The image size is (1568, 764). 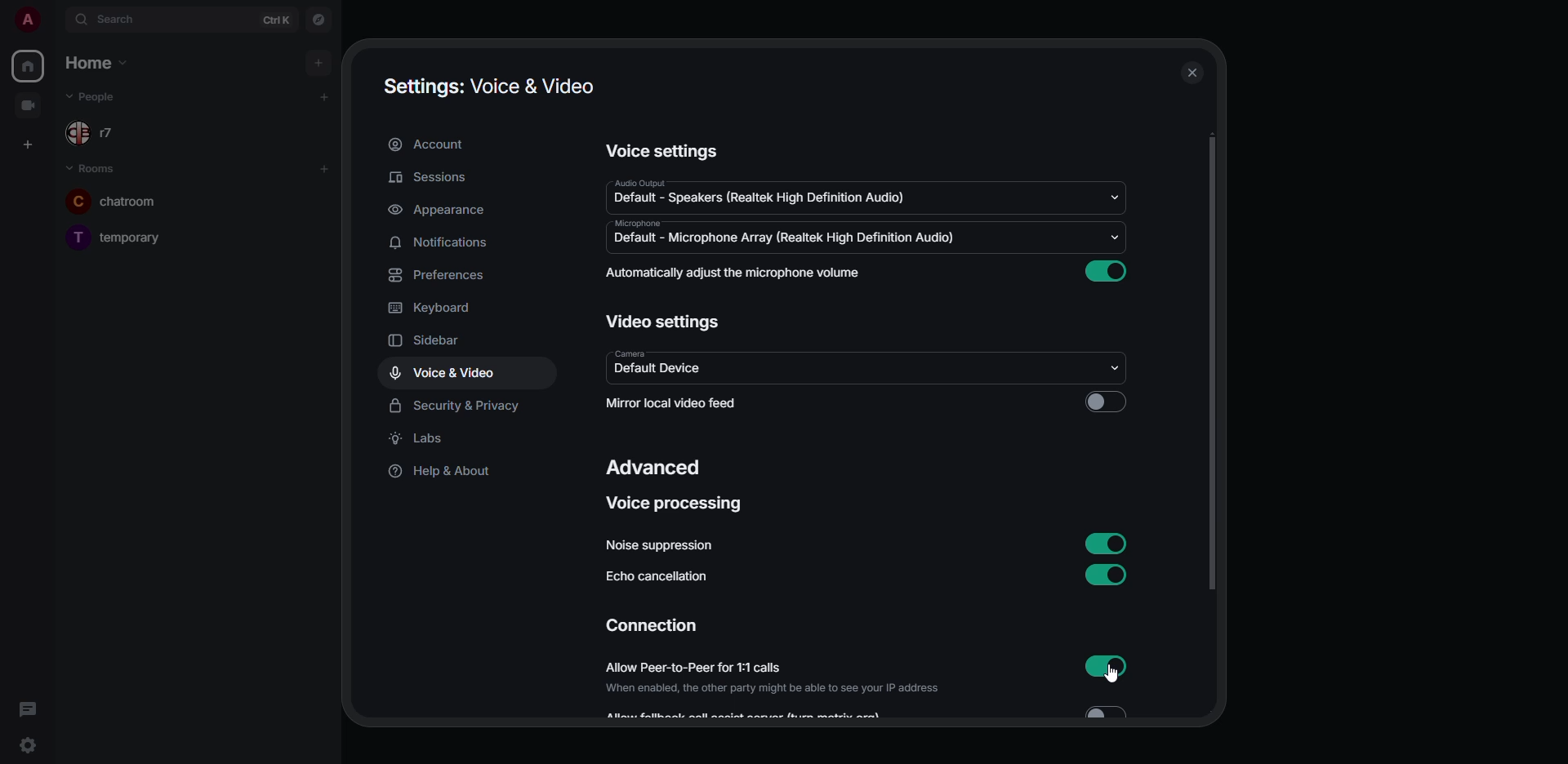 What do you see at coordinates (26, 745) in the screenshot?
I see `quick settings` at bounding box center [26, 745].